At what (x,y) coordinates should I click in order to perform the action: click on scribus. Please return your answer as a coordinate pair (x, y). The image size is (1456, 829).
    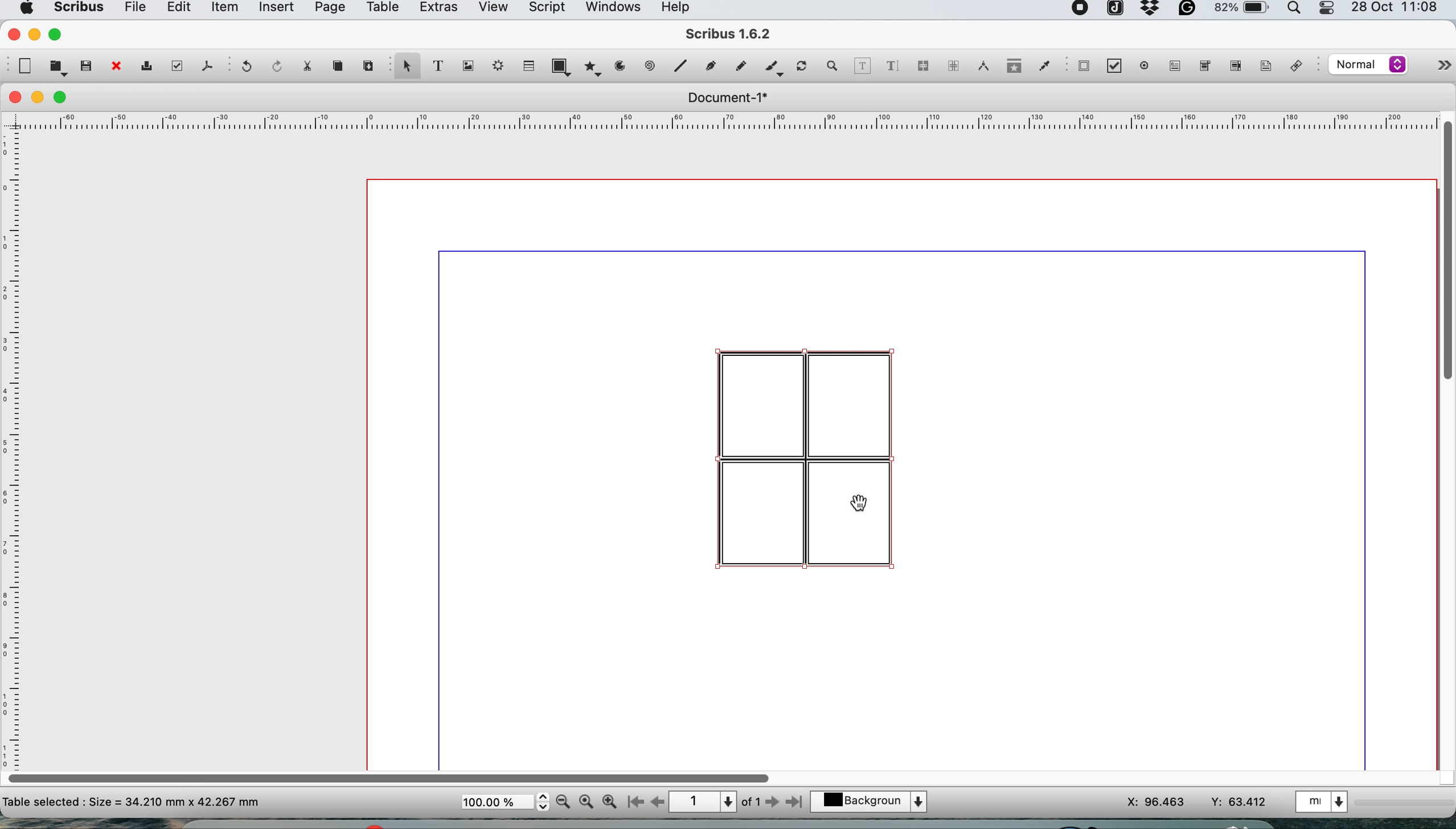
    Looking at the image, I should click on (77, 9).